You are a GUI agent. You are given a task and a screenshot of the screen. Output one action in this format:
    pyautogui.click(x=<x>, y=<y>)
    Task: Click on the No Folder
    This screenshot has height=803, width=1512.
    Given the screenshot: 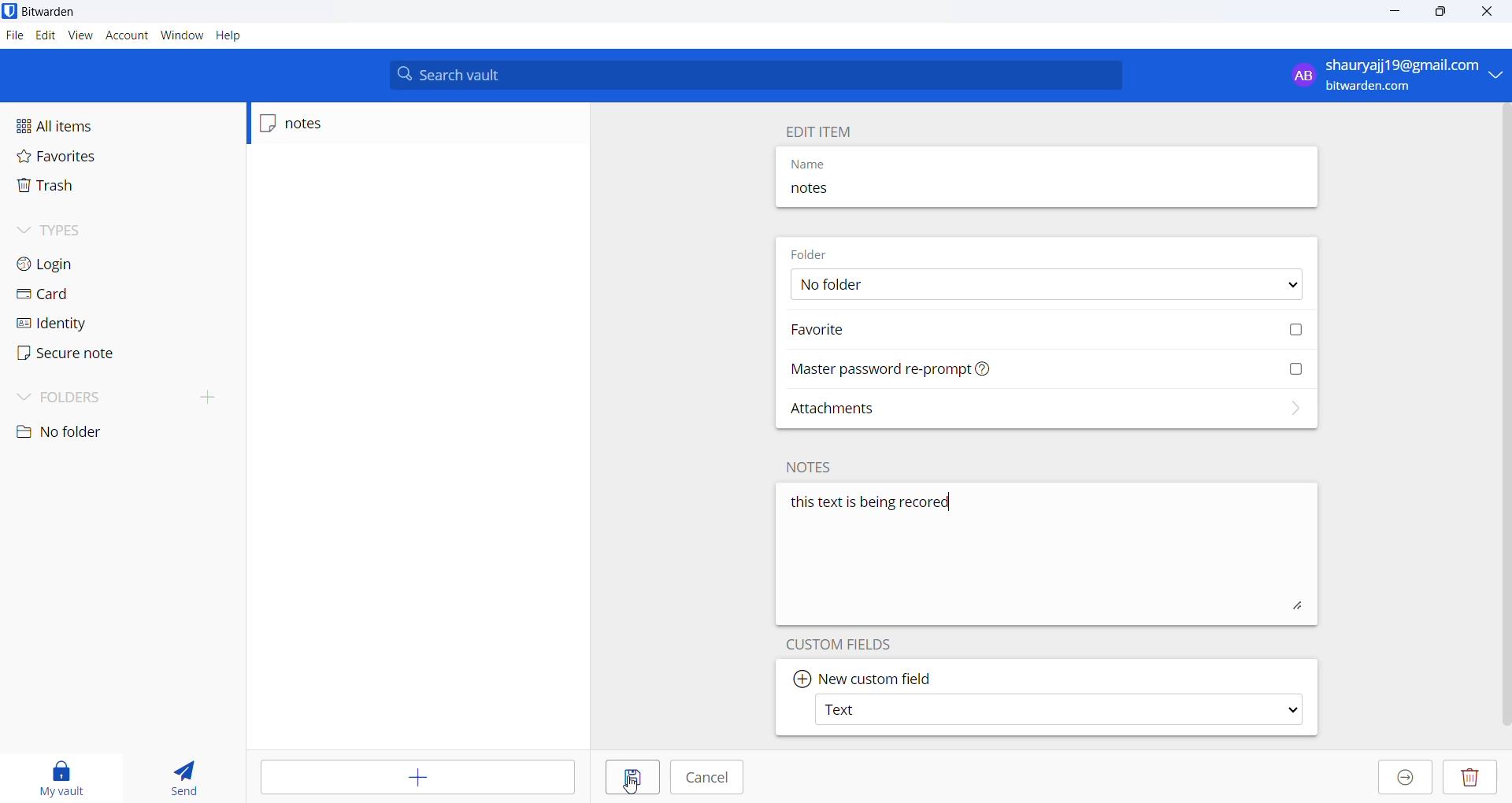 What is the action you would take?
    pyautogui.click(x=1043, y=287)
    